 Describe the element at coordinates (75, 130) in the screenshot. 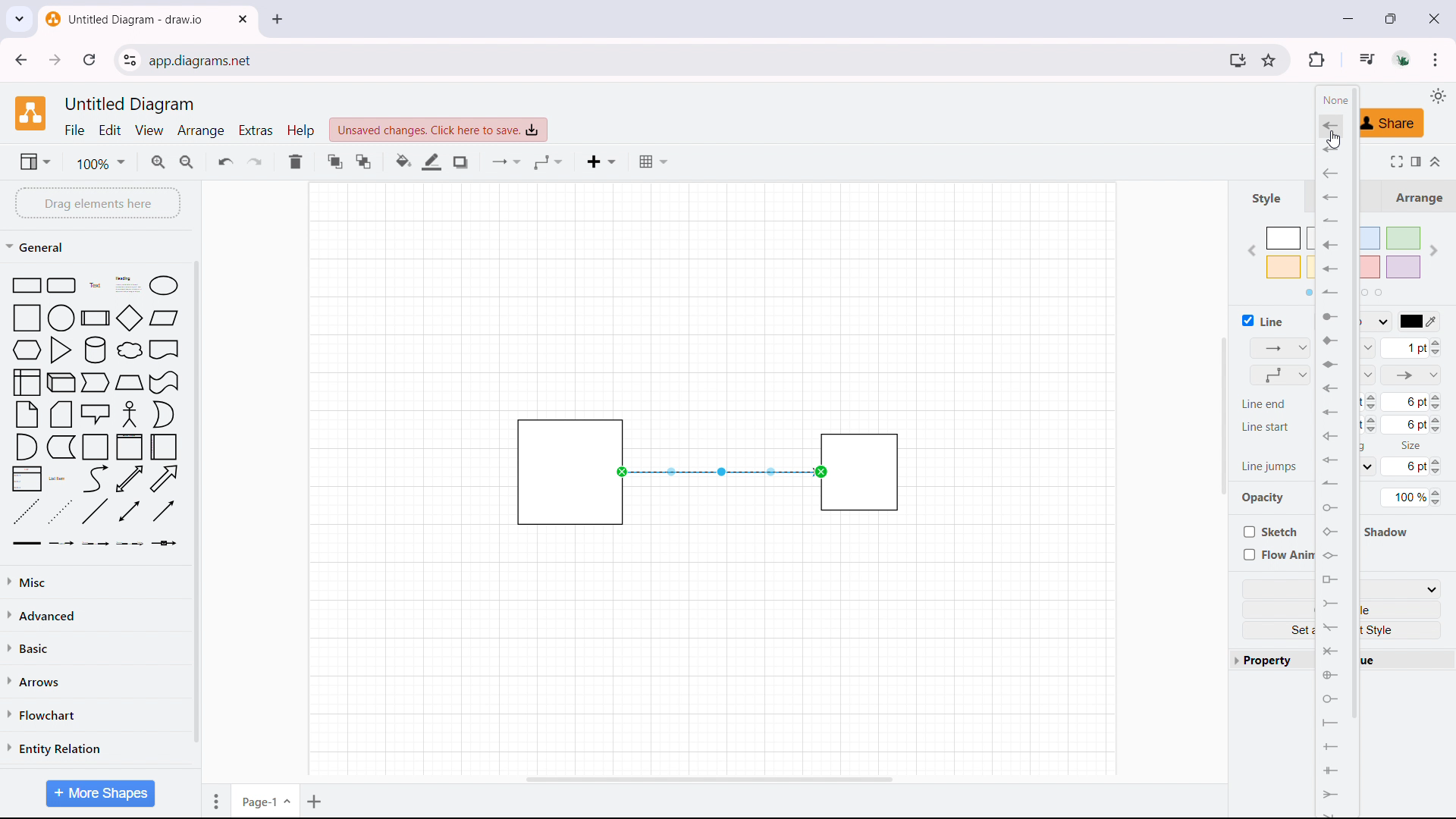

I see `file` at that location.